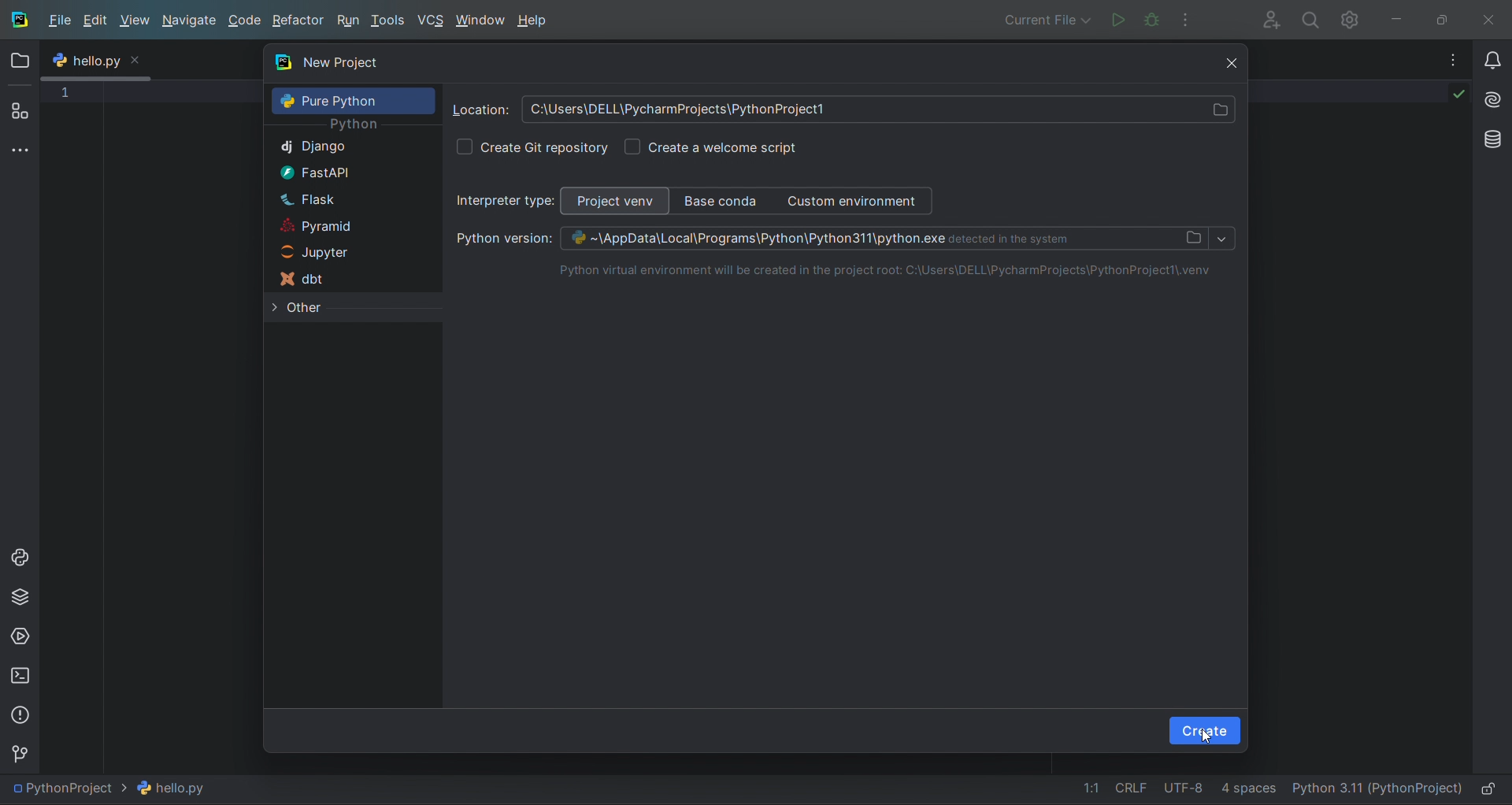 Image resolution: width=1512 pixels, height=805 pixels. Describe the element at coordinates (1192, 18) in the screenshot. I see `options` at that location.